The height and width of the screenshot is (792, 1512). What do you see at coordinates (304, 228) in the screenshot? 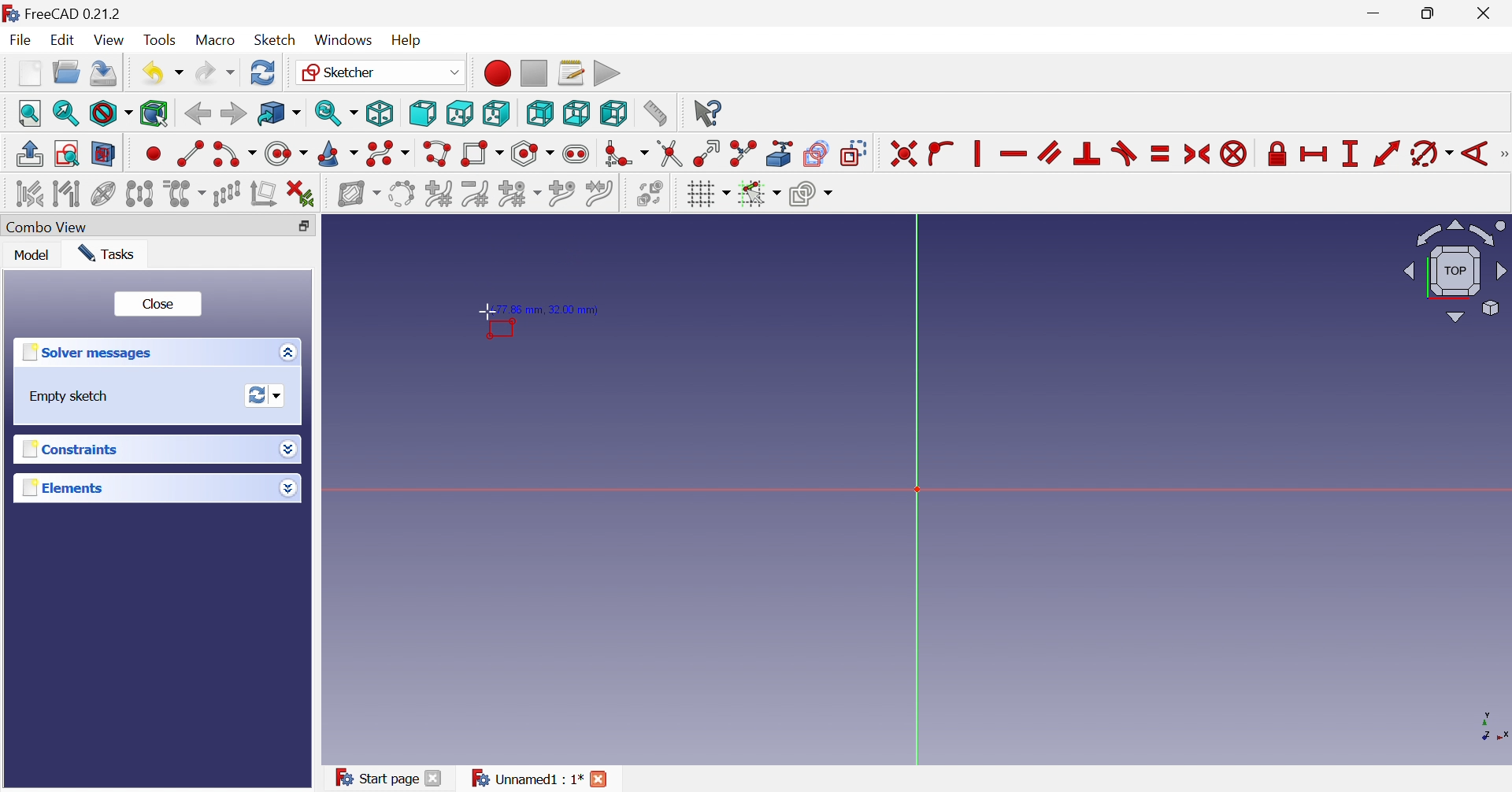
I see `Restore down` at bounding box center [304, 228].